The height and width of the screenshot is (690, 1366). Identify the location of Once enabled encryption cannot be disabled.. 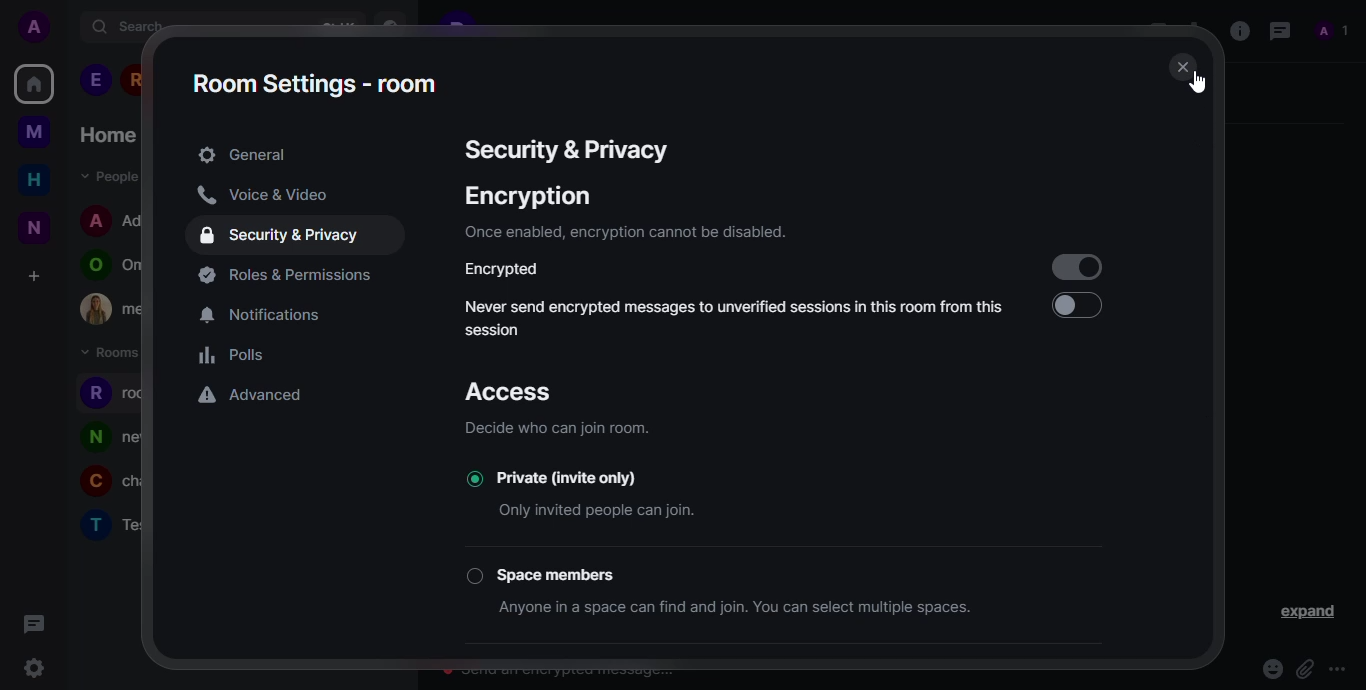
(637, 234).